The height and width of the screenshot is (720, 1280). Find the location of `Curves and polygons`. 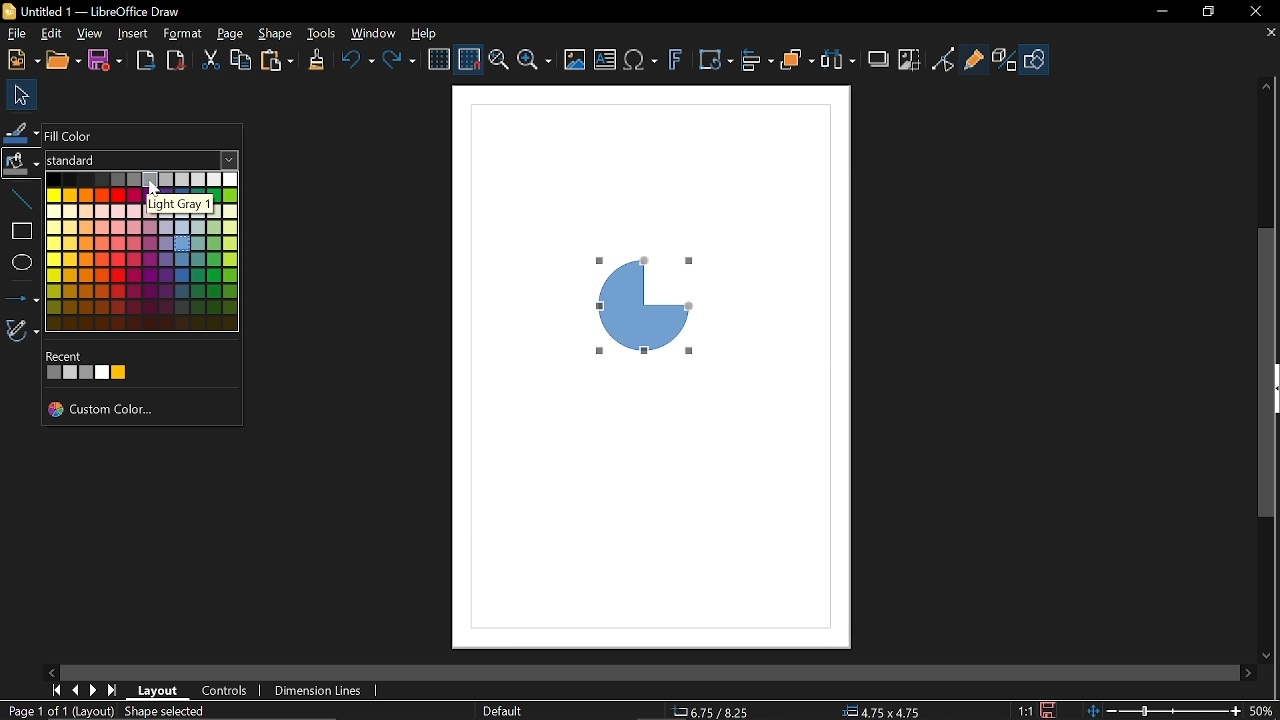

Curves and polygons is located at coordinates (23, 332).